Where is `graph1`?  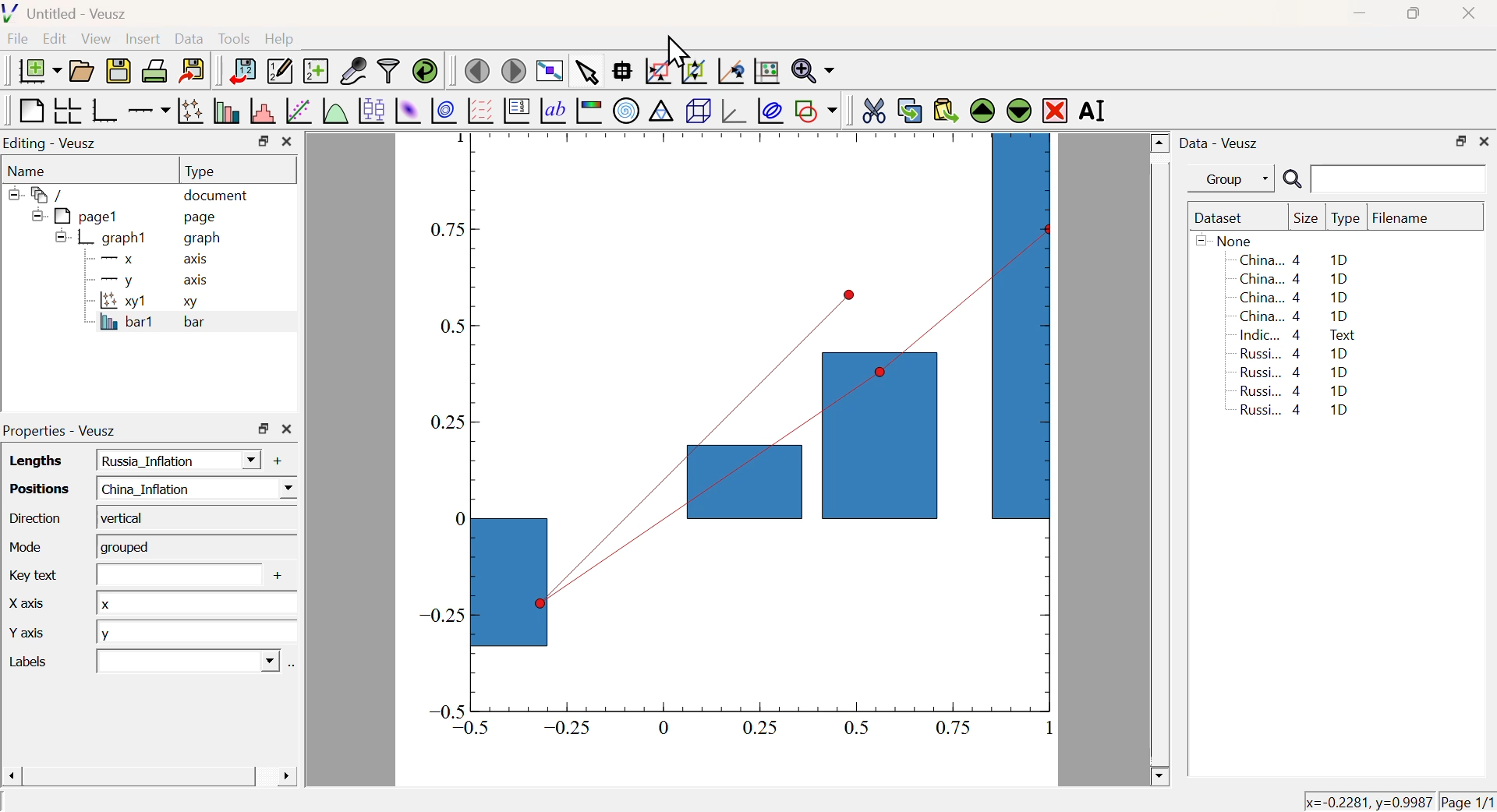 graph1 is located at coordinates (103, 237).